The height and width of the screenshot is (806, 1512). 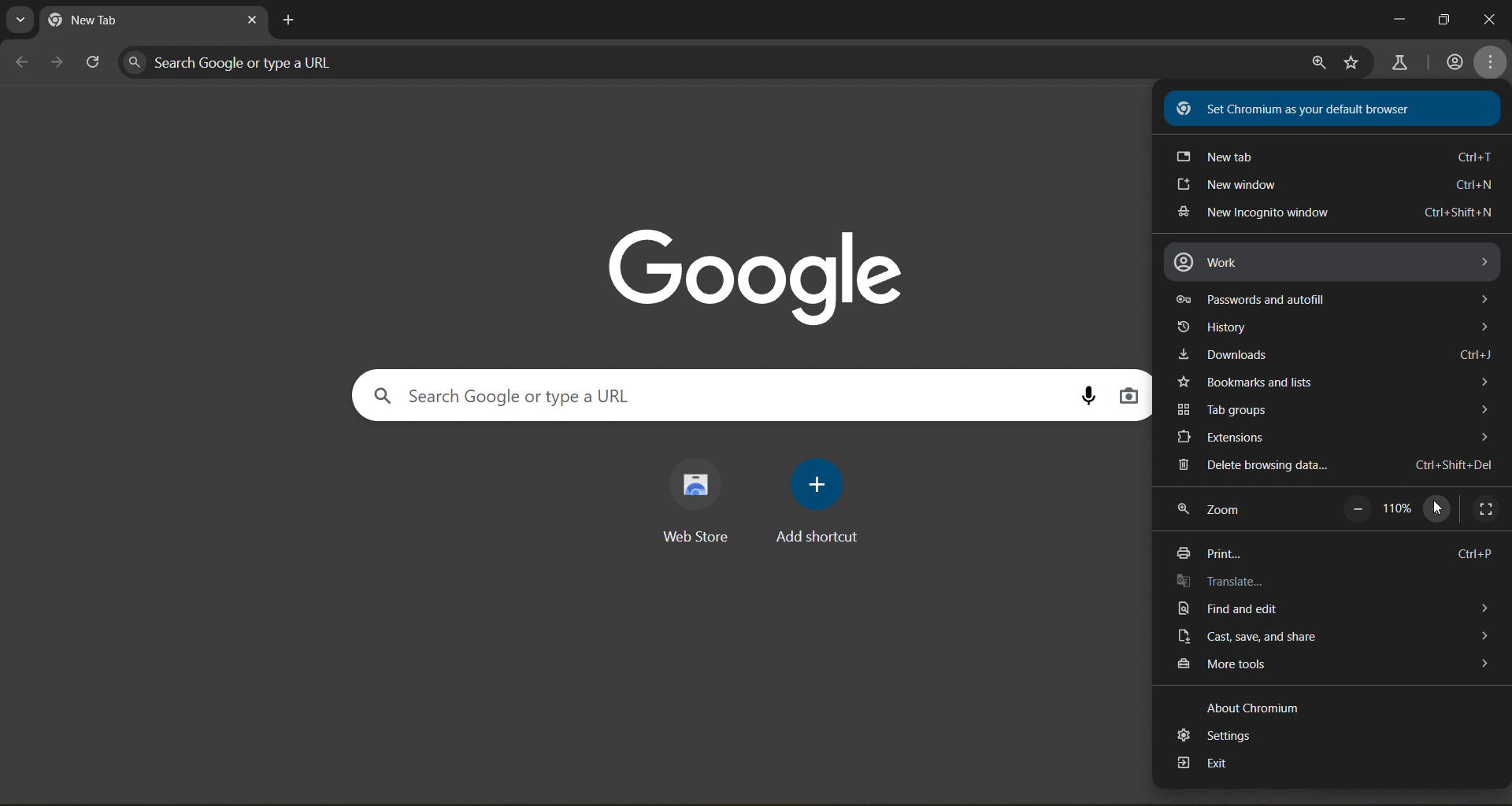 I want to click on cursor, so click(x=1438, y=508).